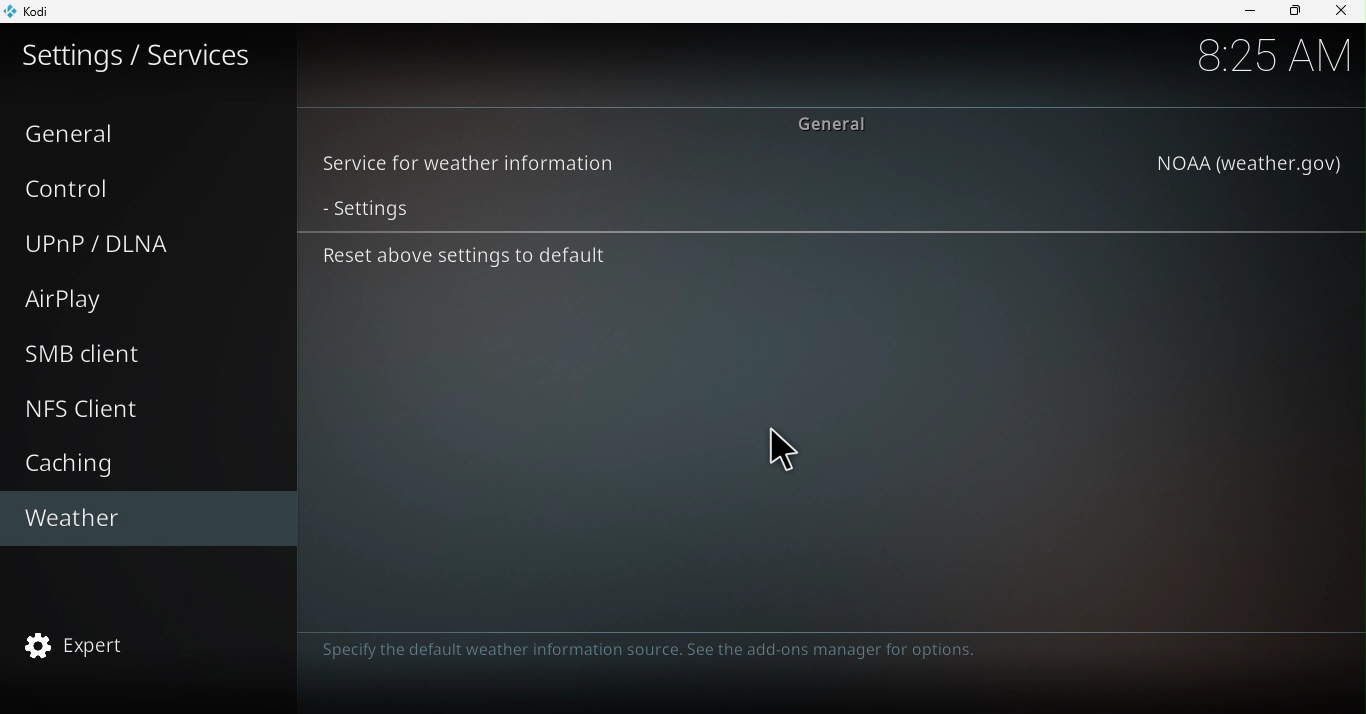  Describe the element at coordinates (642, 651) in the screenshot. I see `Specify the default weather information source. See the add-ons manager for options.` at that location.